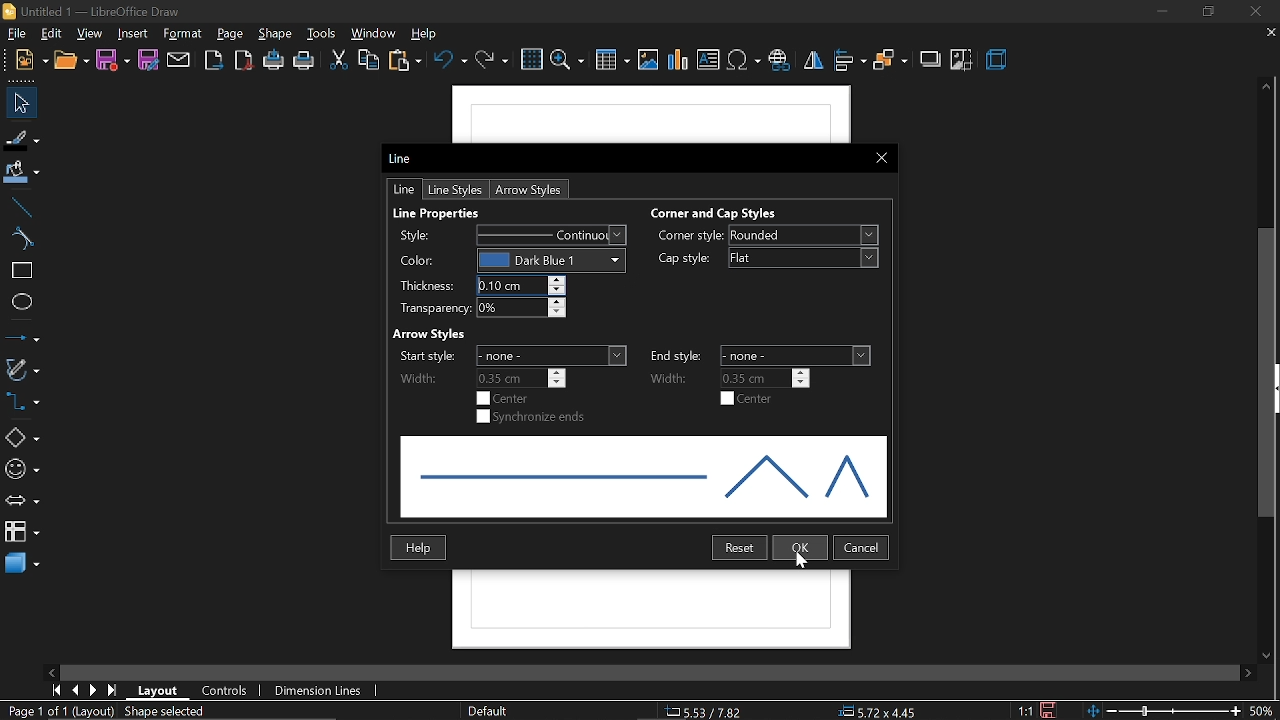 This screenshot has height=720, width=1280. Describe the element at coordinates (745, 61) in the screenshot. I see `insert symbol` at that location.